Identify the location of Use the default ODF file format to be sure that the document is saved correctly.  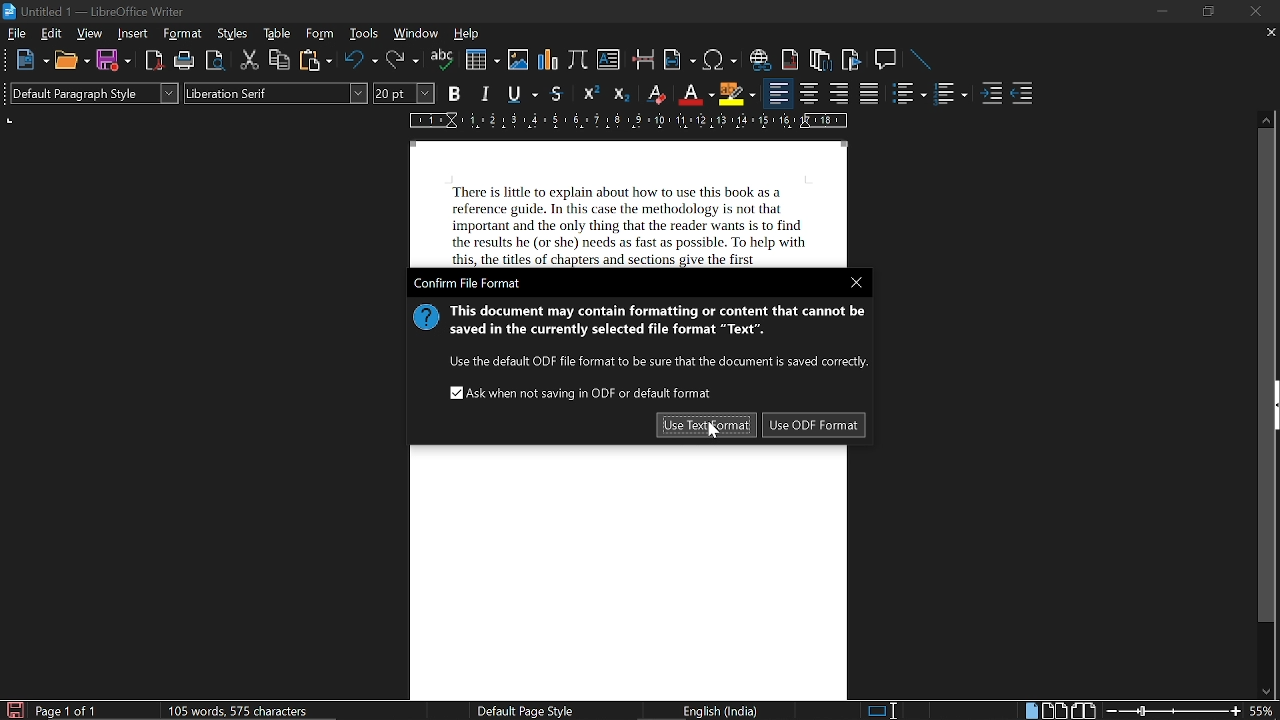
(655, 363).